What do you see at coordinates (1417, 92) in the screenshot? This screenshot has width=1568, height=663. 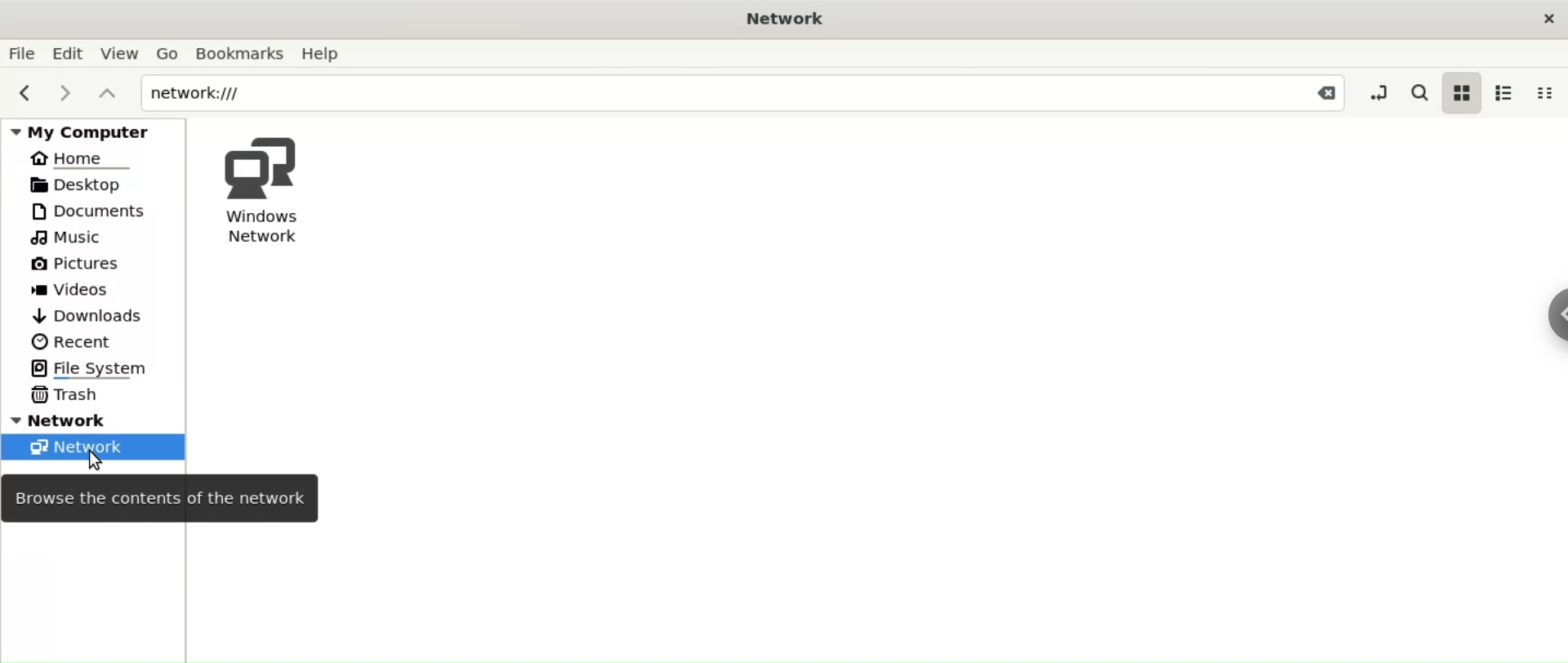 I see `search` at bounding box center [1417, 92].